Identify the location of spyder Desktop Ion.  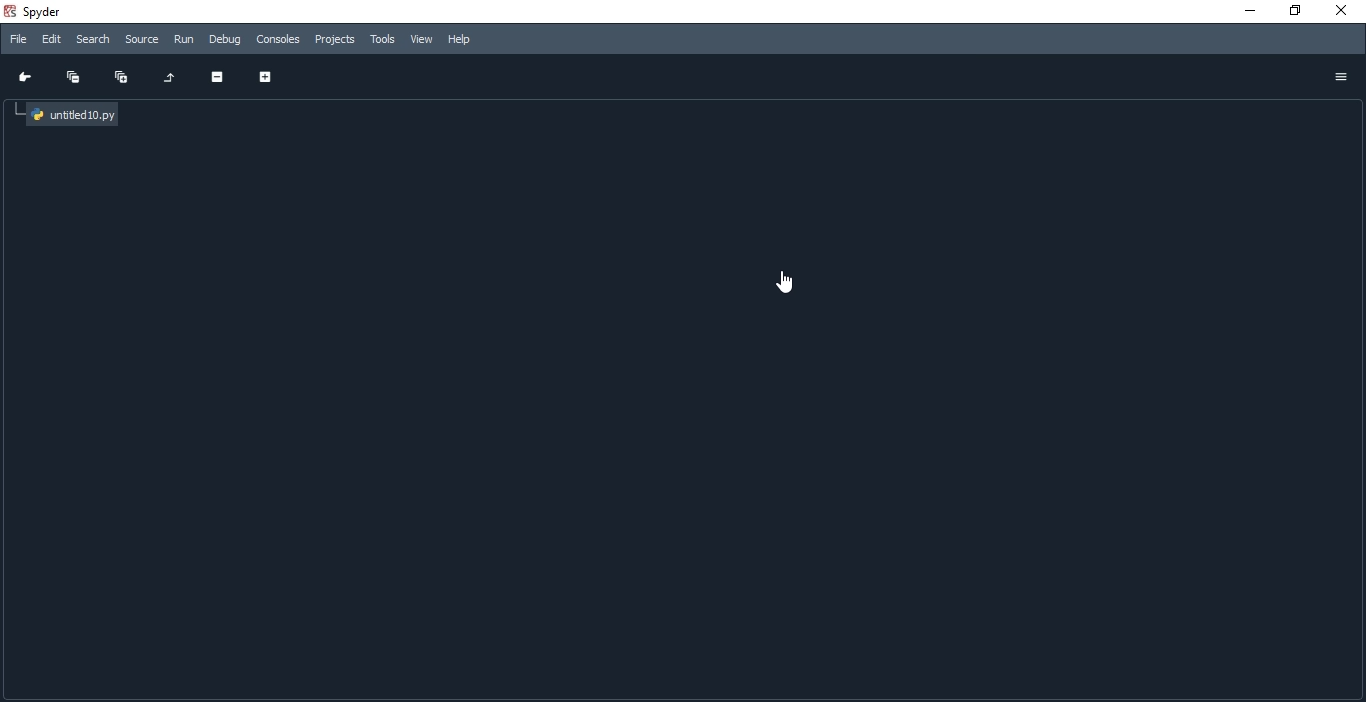
(36, 10).